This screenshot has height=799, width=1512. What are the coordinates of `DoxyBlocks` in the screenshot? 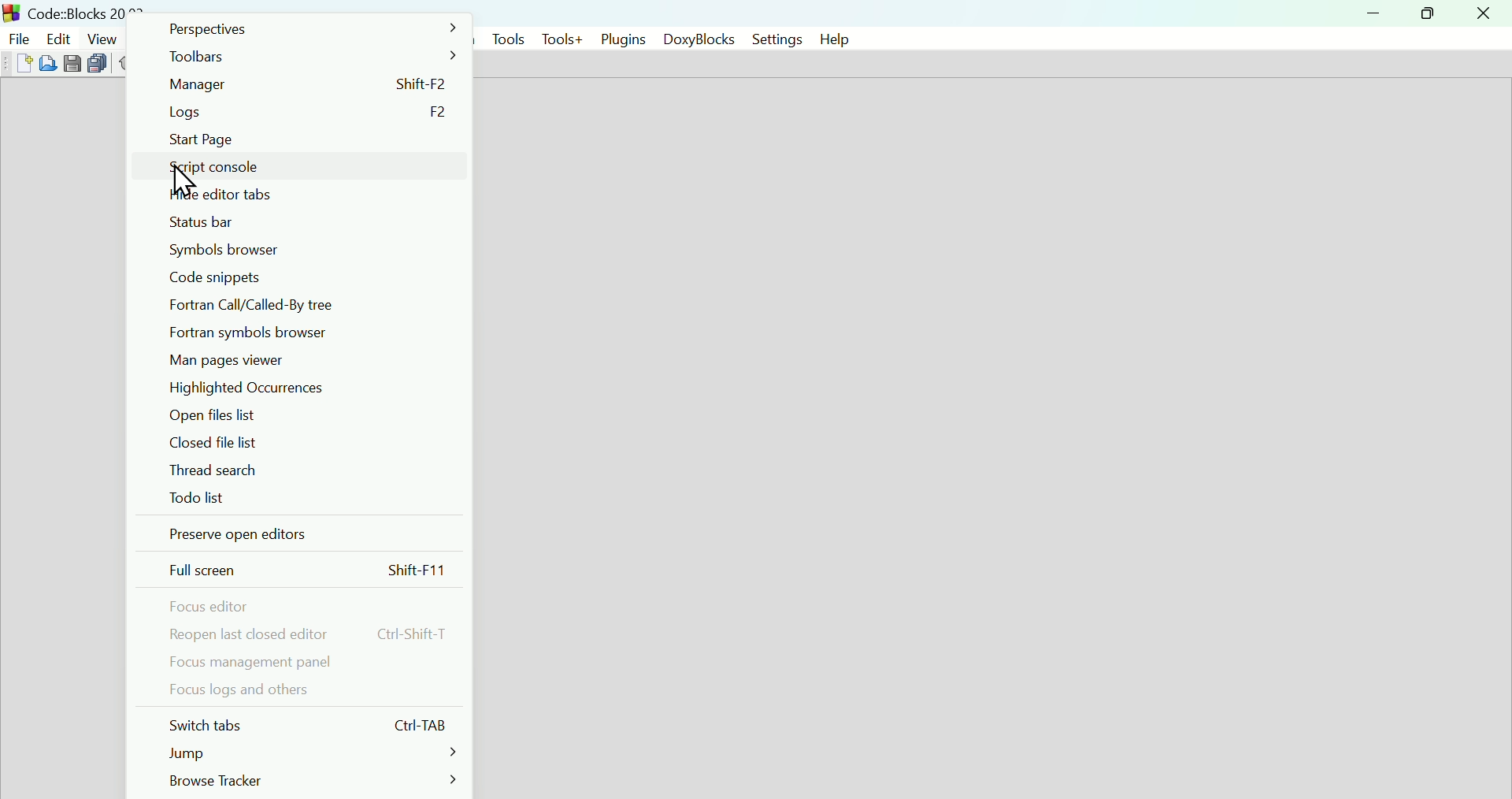 It's located at (695, 39).